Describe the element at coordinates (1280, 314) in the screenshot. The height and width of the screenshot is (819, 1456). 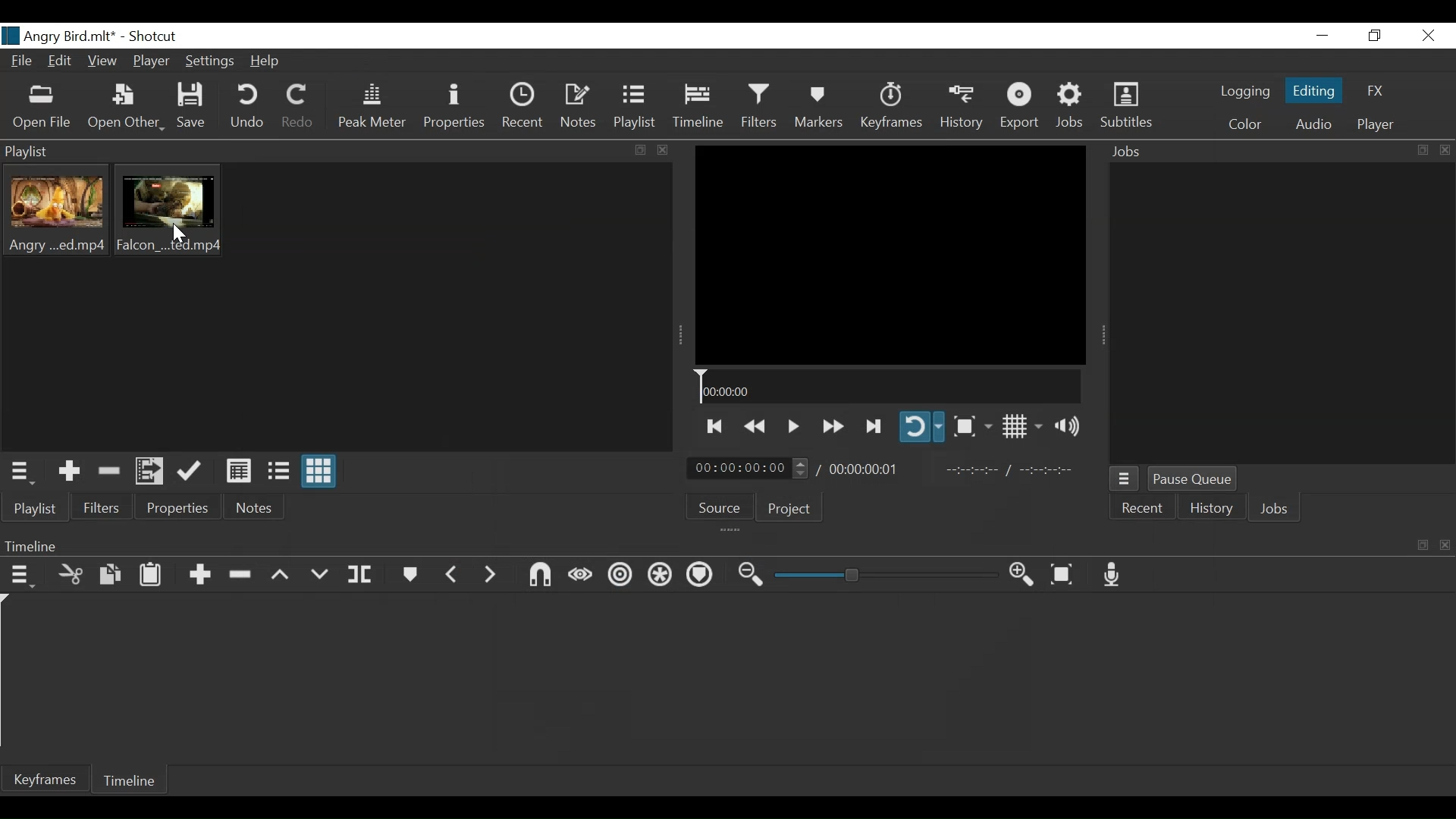
I see `Jobs Panel` at that location.